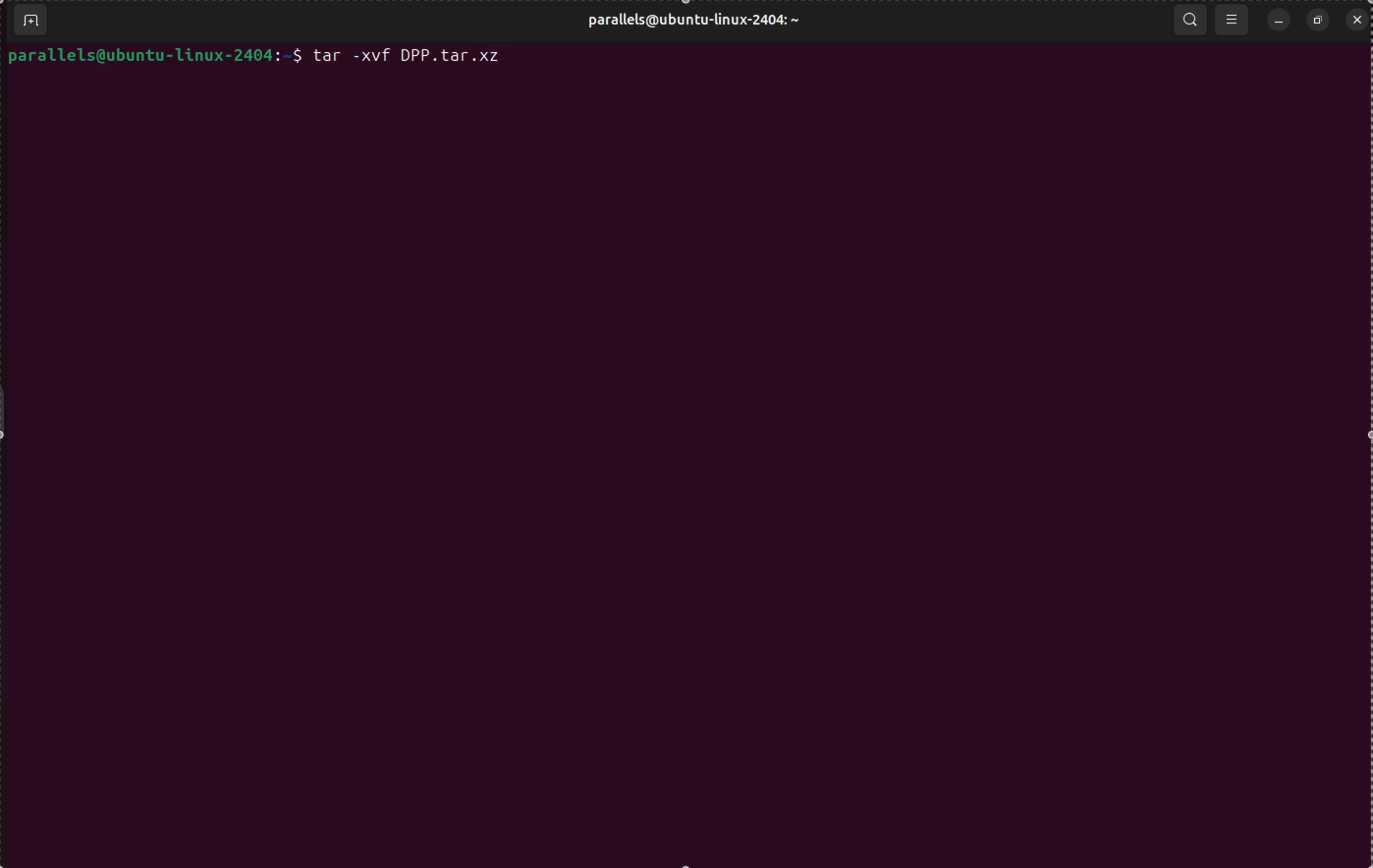 The image size is (1373, 868). Describe the element at coordinates (1356, 19) in the screenshot. I see `close` at that location.